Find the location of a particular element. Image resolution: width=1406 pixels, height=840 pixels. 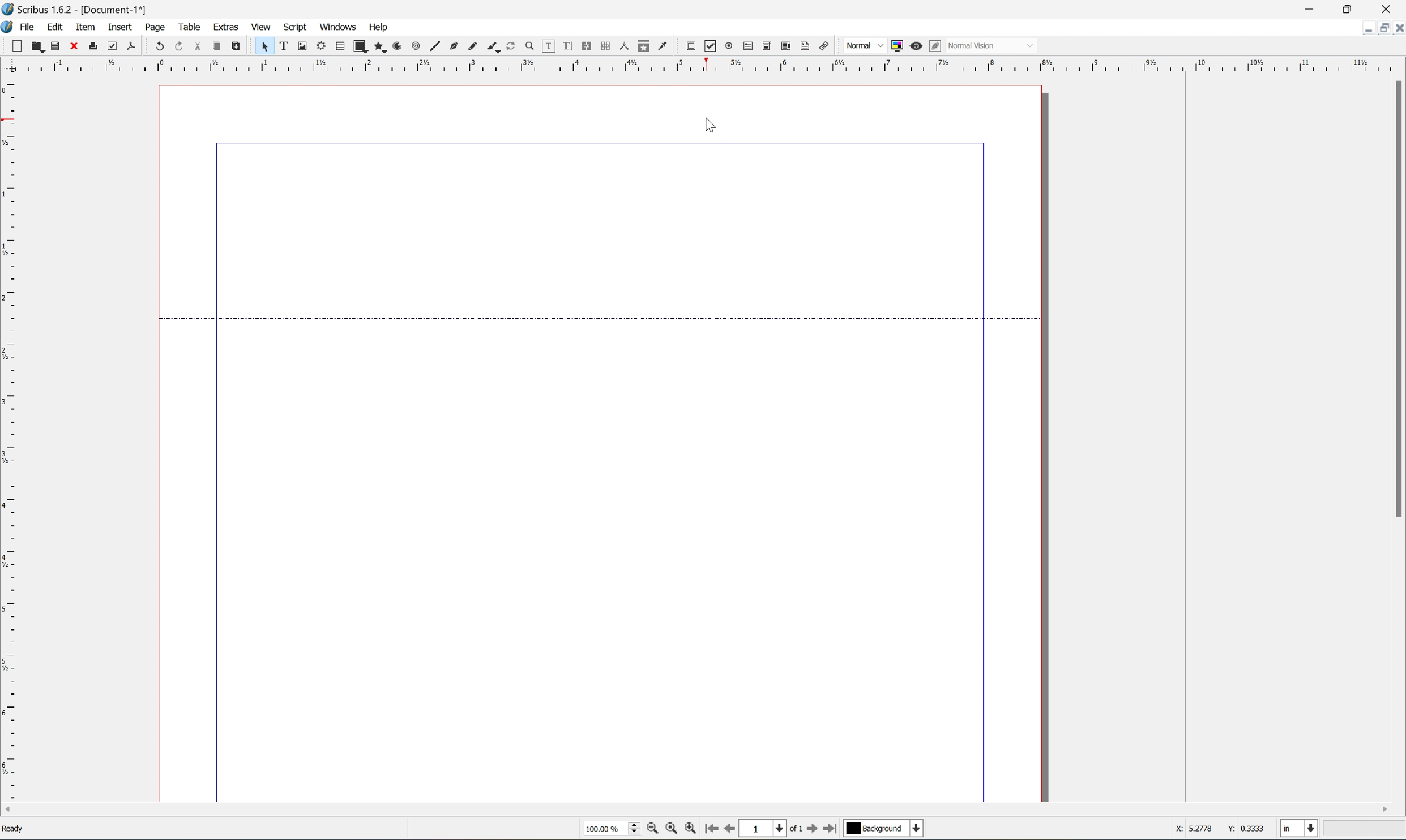

page is located at coordinates (148, 26).